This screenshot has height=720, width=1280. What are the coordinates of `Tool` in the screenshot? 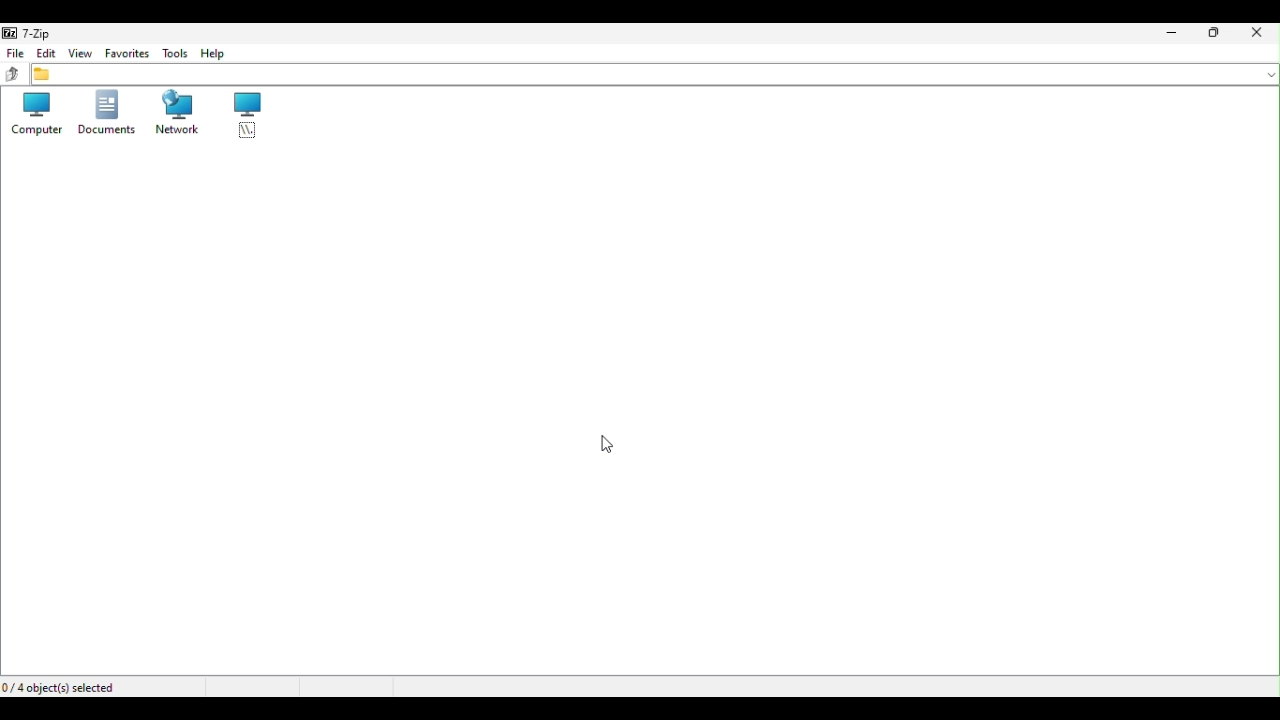 It's located at (176, 53).